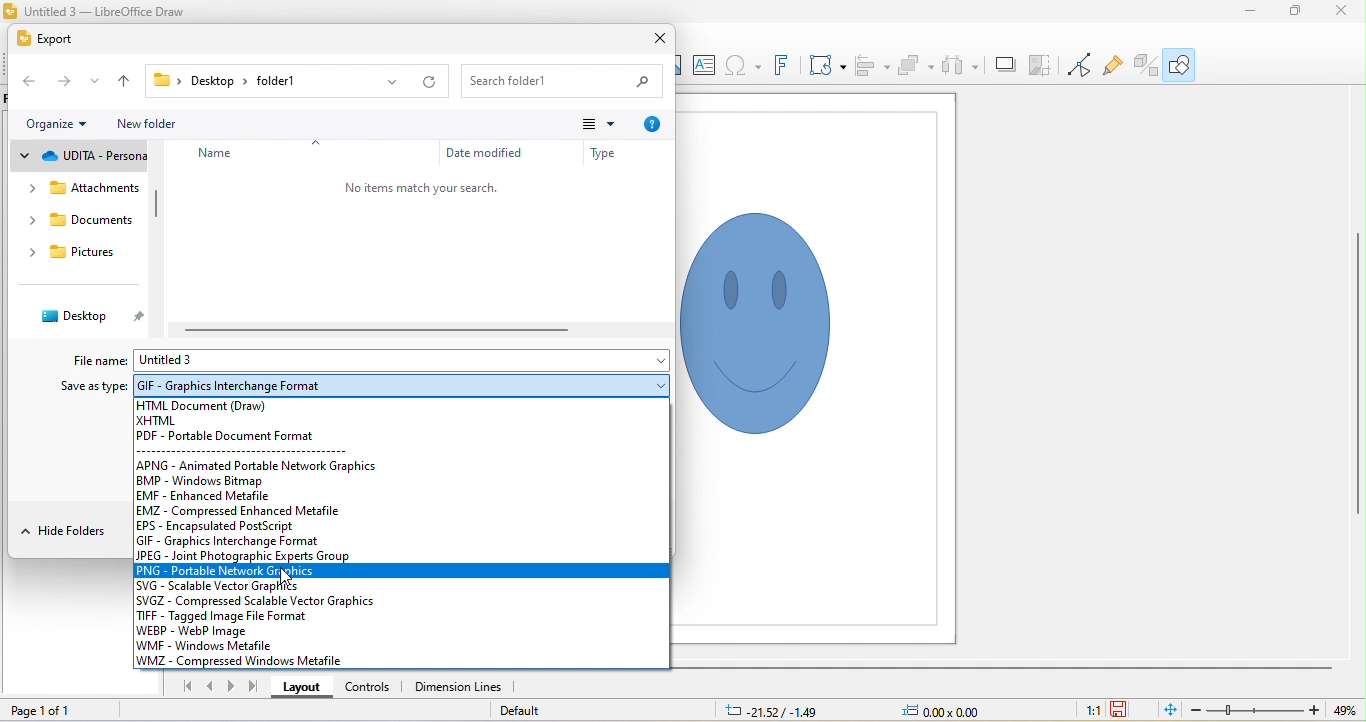 The height and width of the screenshot is (722, 1366). I want to click on PDF-portable document format, so click(230, 436).